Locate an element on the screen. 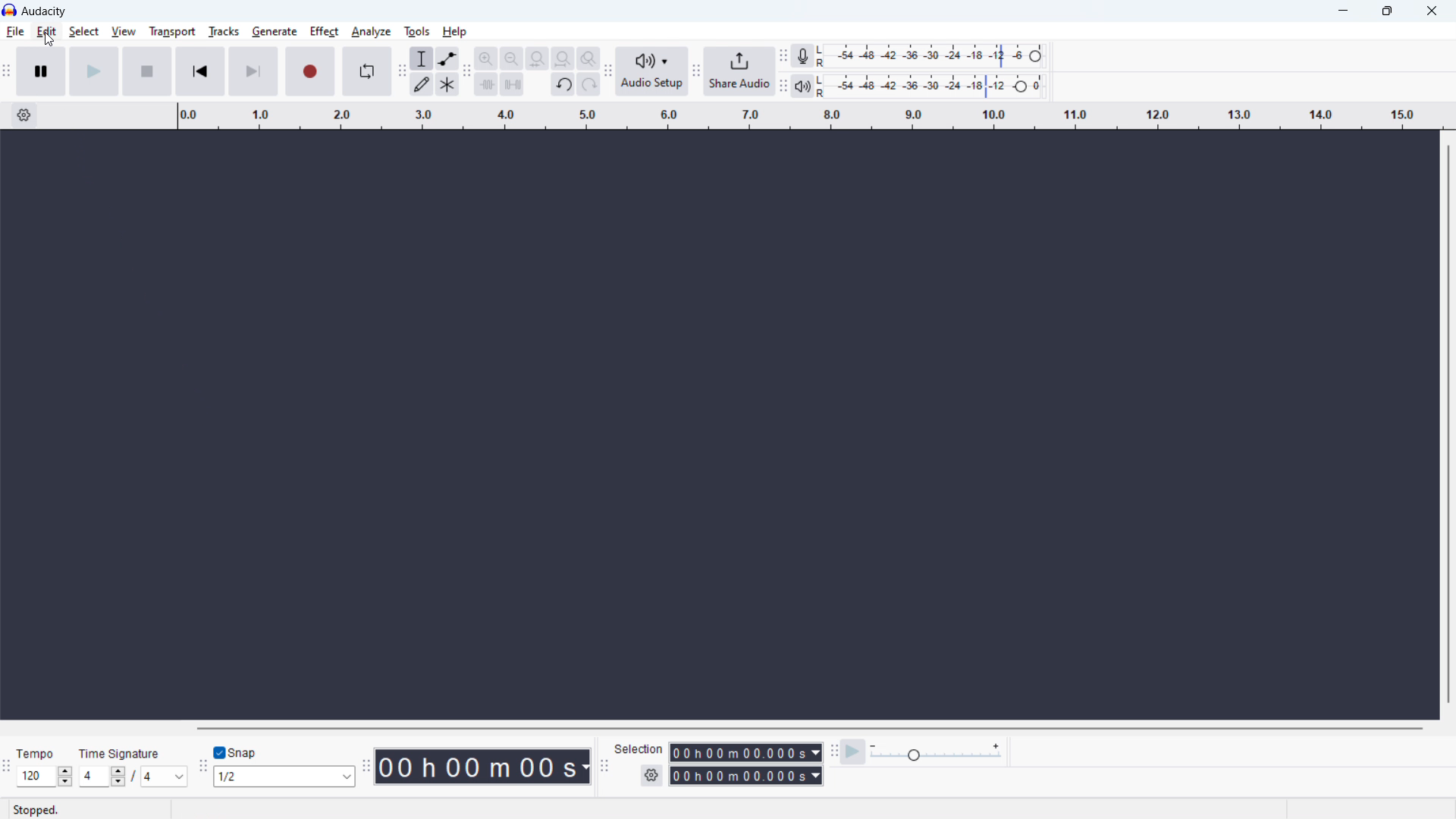 The height and width of the screenshot is (819, 1456). edit is located at coordinates (47, 31).